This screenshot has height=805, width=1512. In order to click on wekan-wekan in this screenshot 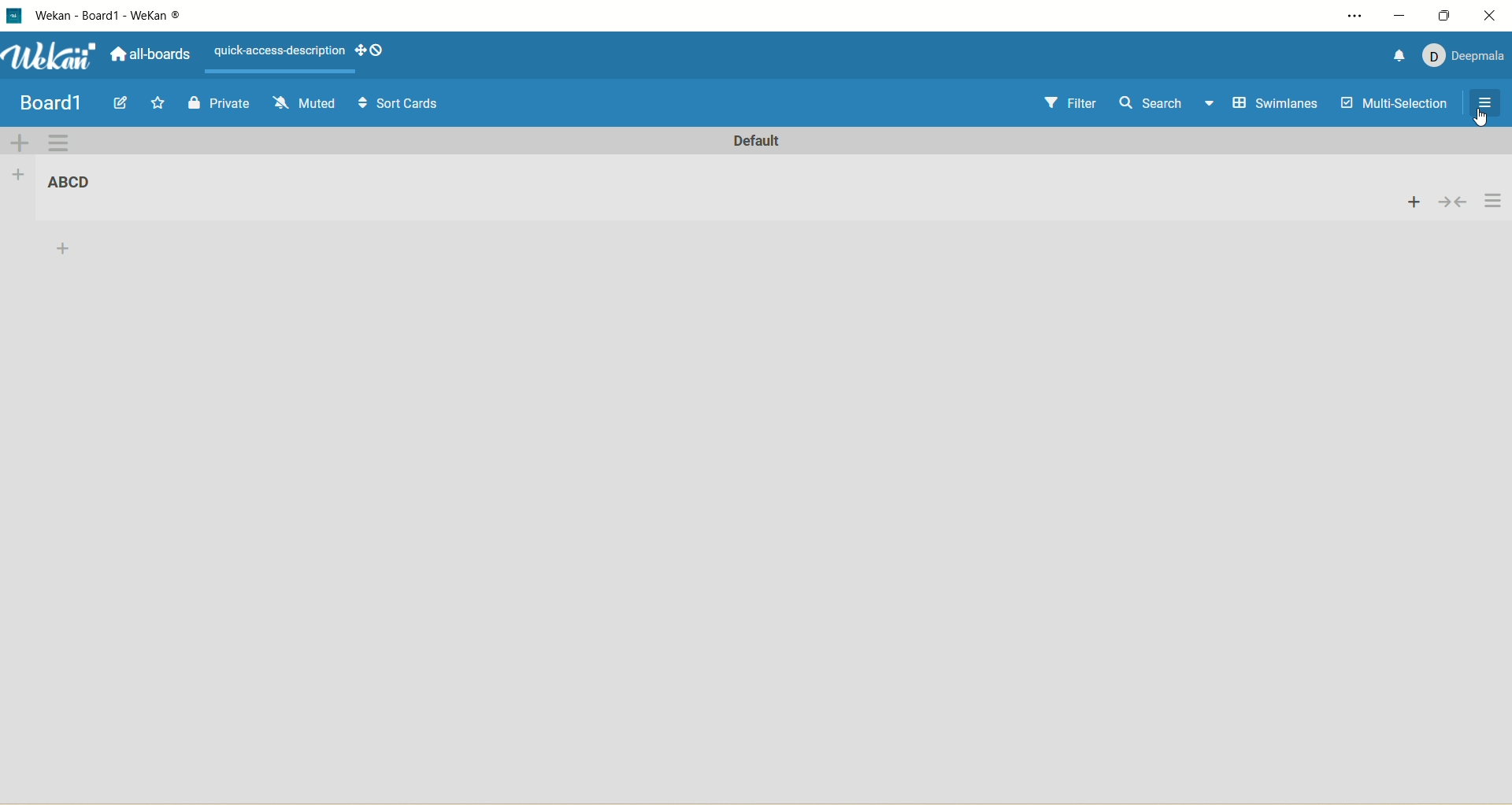, I will do `click(108, 16)`.